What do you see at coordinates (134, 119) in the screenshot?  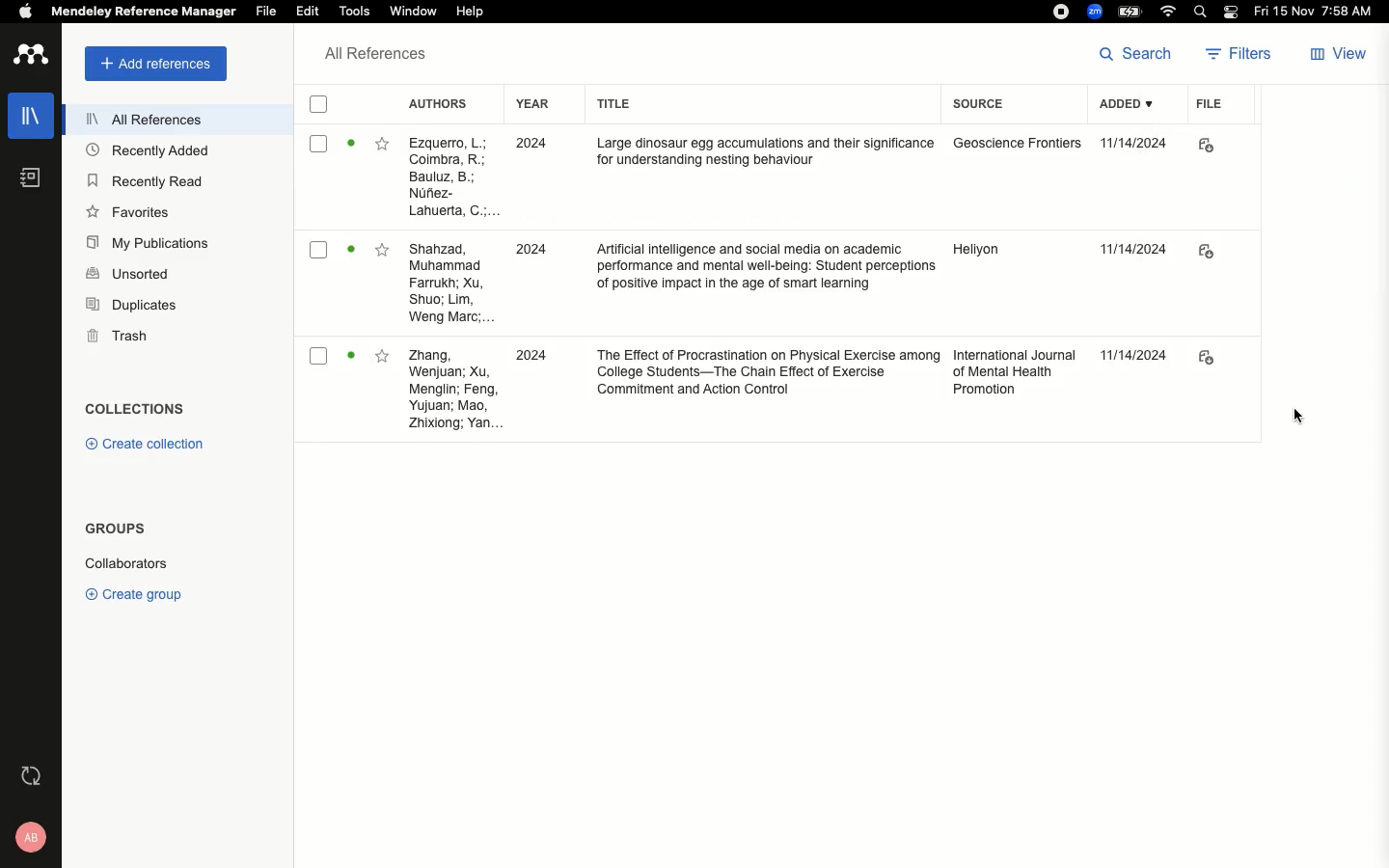 I see `All references` at bounding box center [134, 119].